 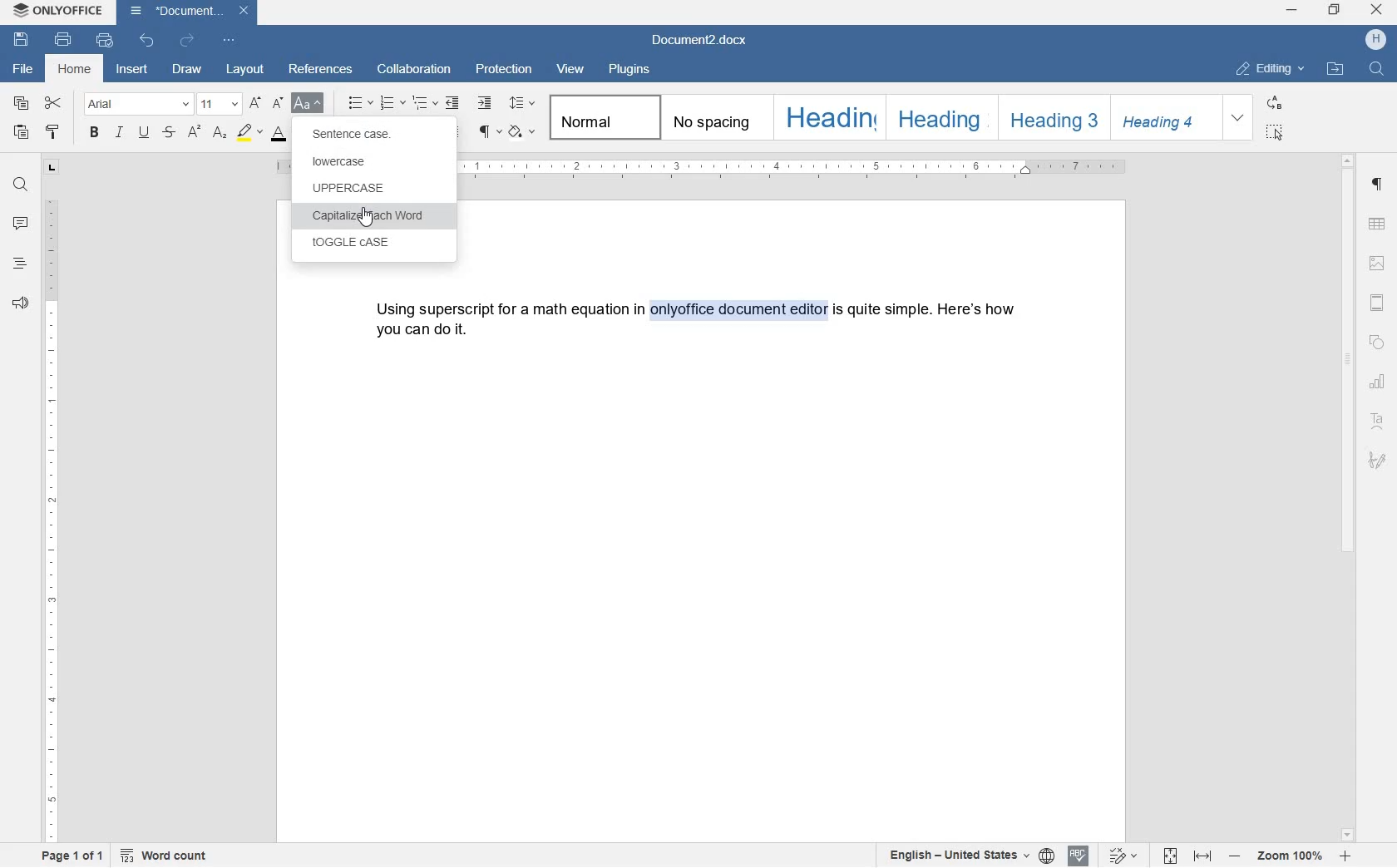 I want to click on cursor, so click(x=365, y=216).